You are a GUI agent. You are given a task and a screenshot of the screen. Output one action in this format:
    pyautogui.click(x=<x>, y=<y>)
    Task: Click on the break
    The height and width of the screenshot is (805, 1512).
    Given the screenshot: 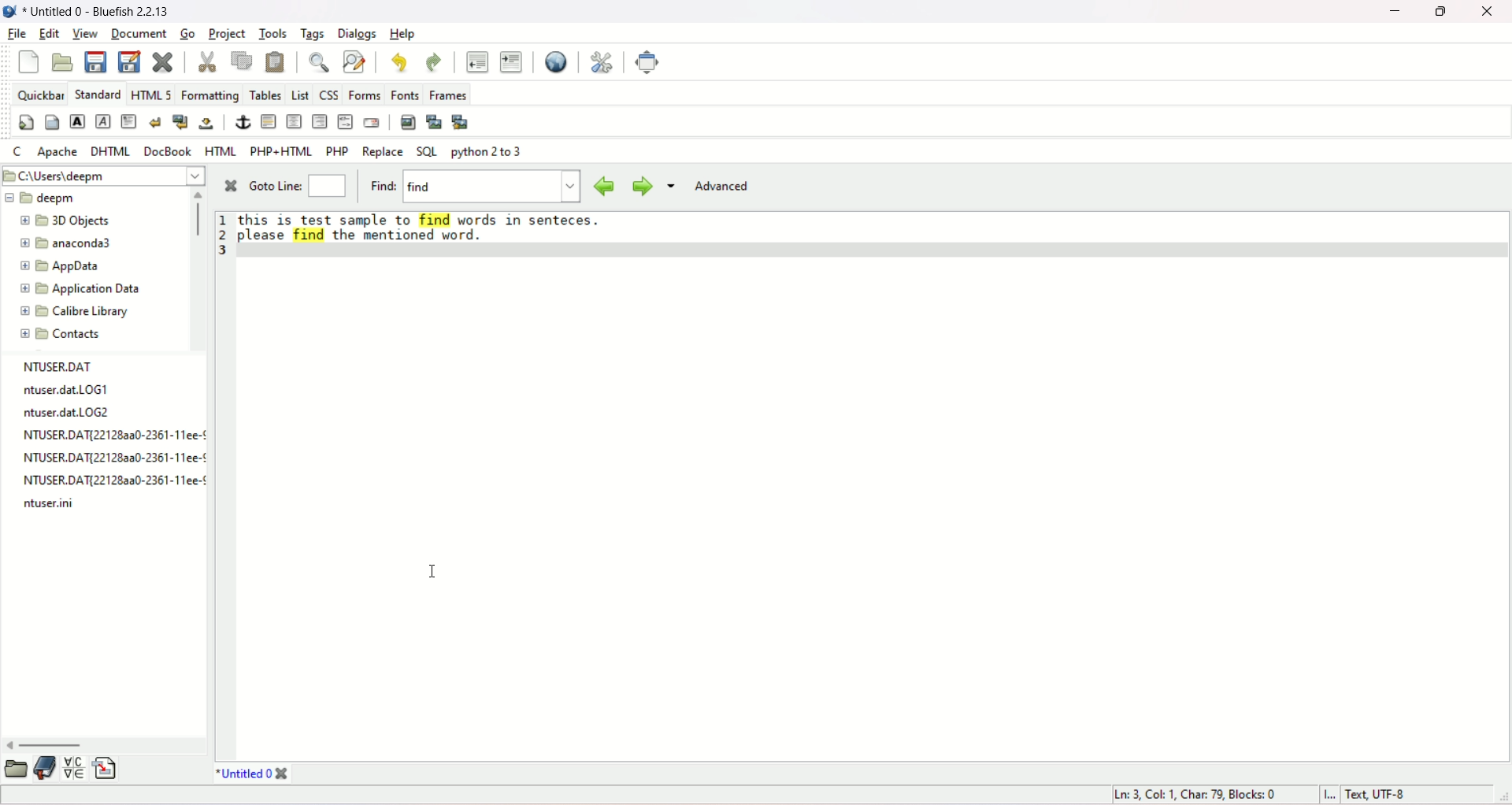 What is the action you would take?
    pyautogui.click(x=157, y=124)
    